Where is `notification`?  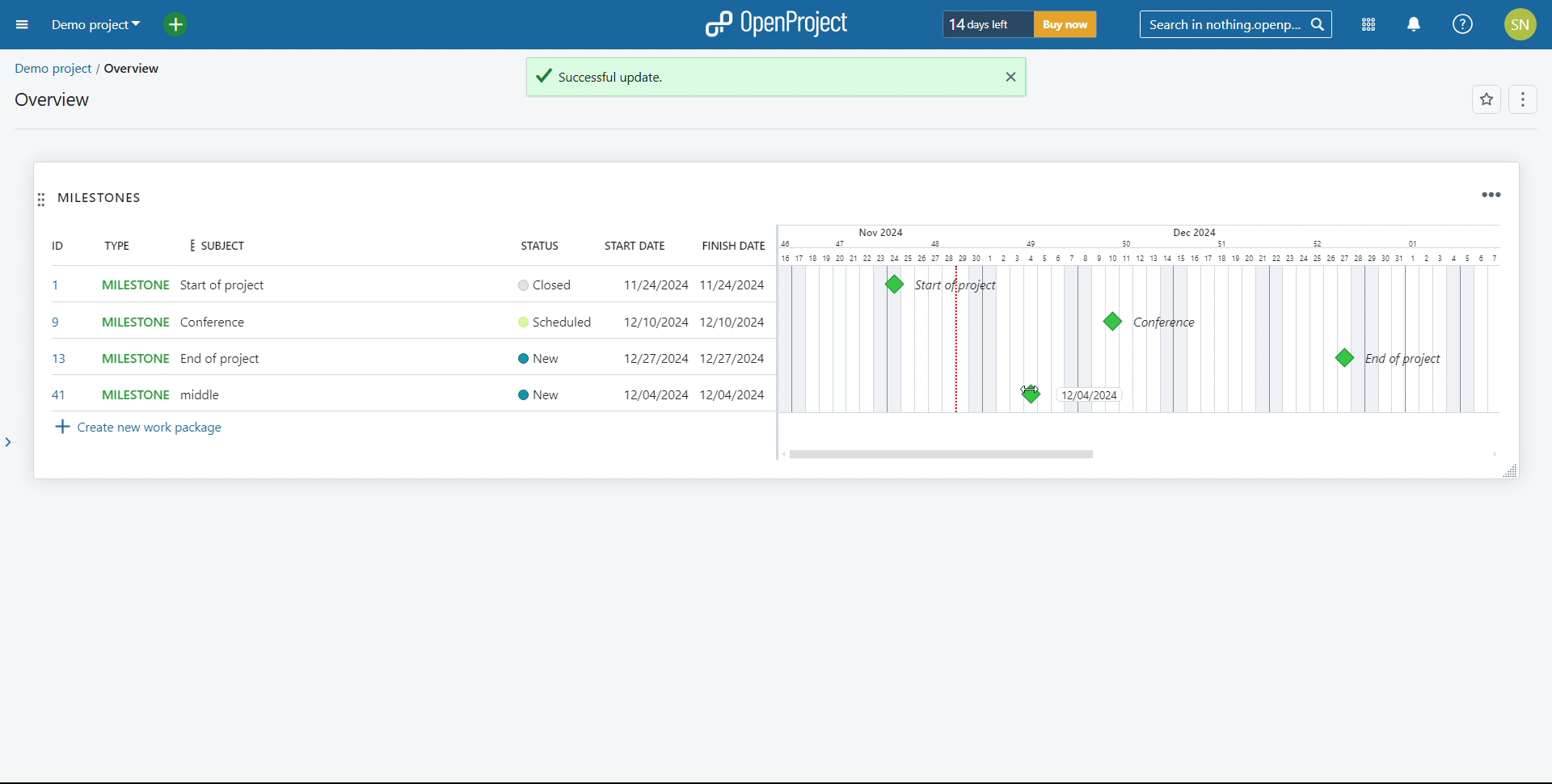
notification is located at coordinates (1414, 25).